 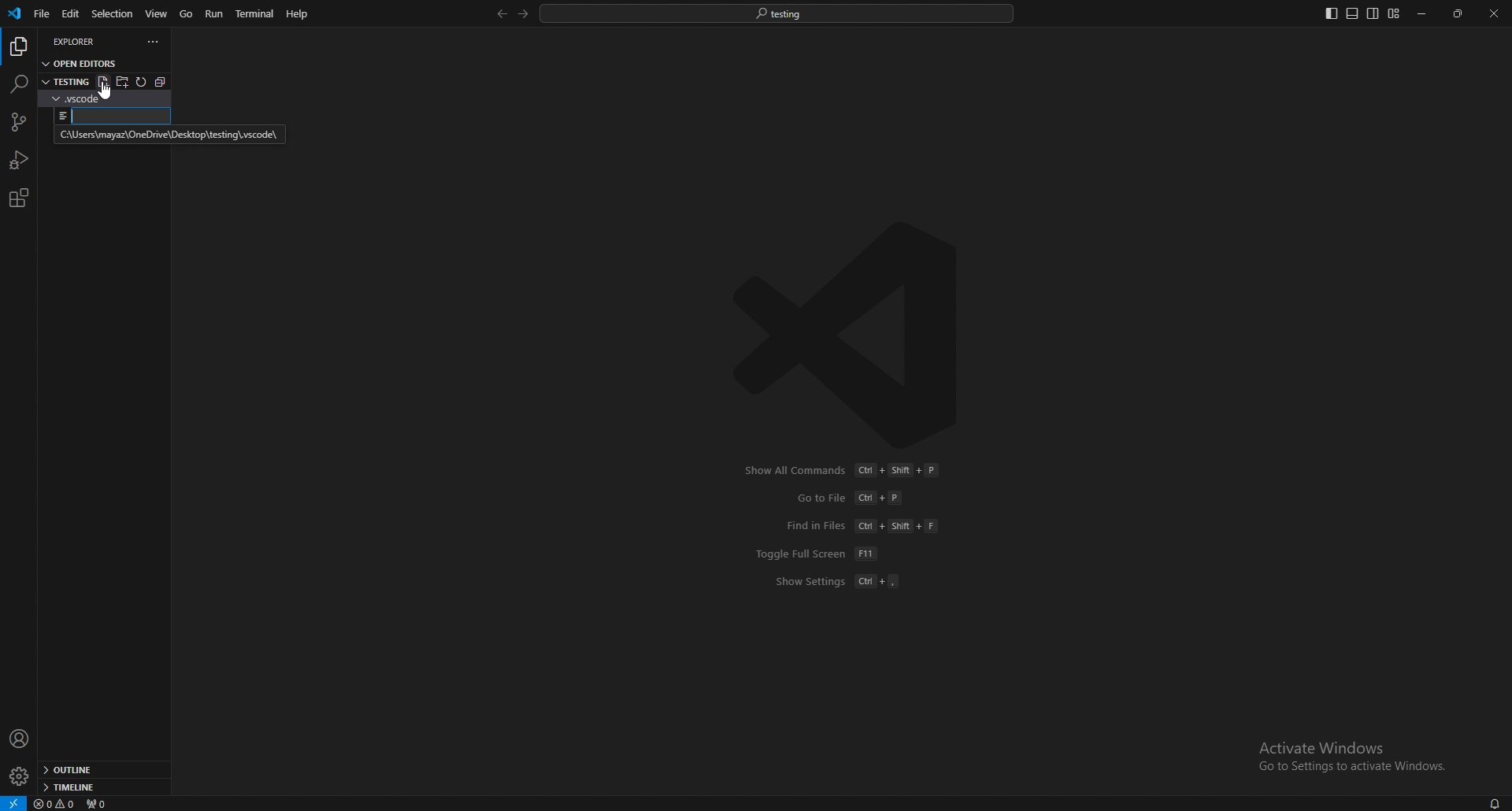 I want to click on help, so click(x=298, y=13).